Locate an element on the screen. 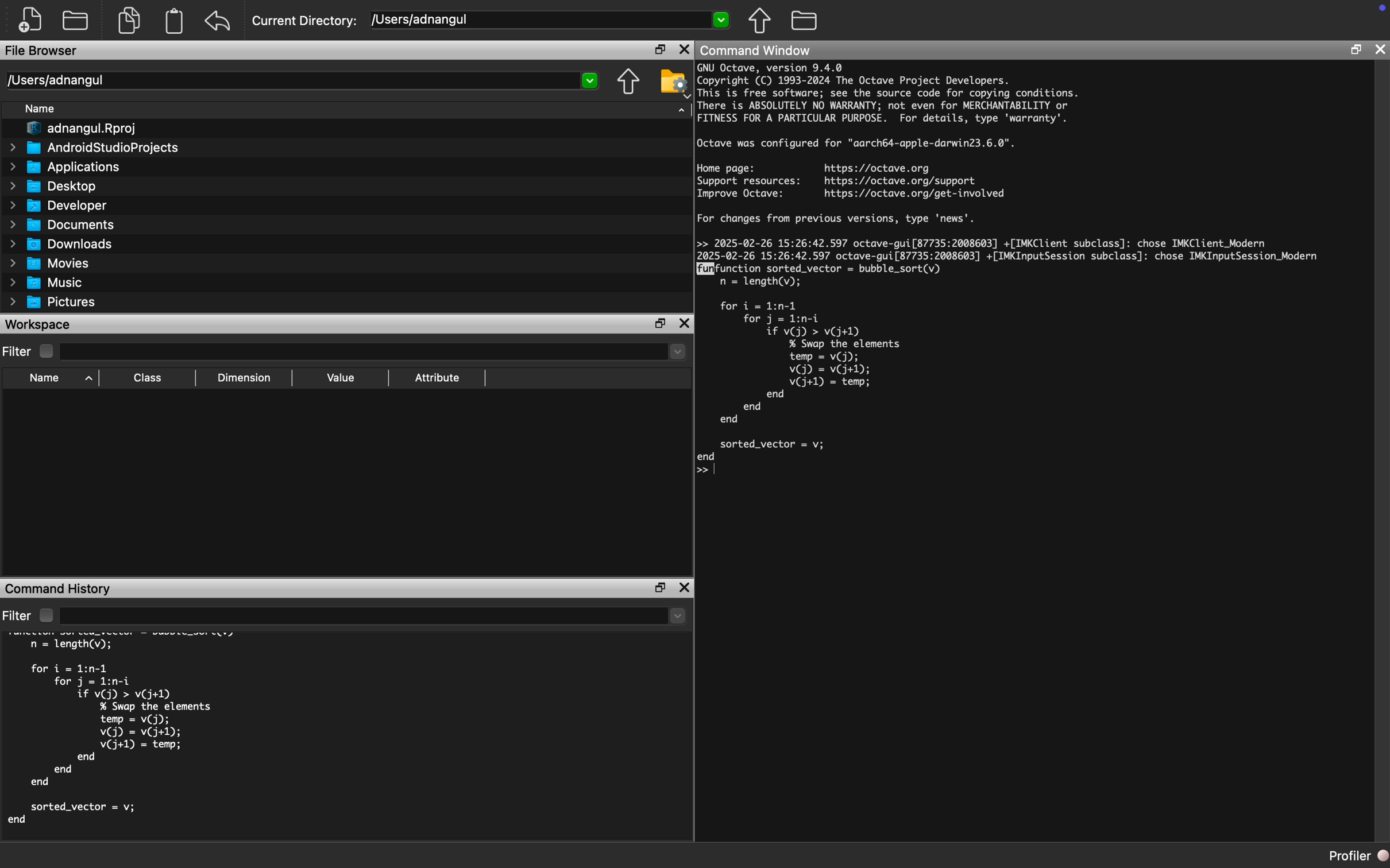  adnangul.Rproj is located at coordinates (76, 130).